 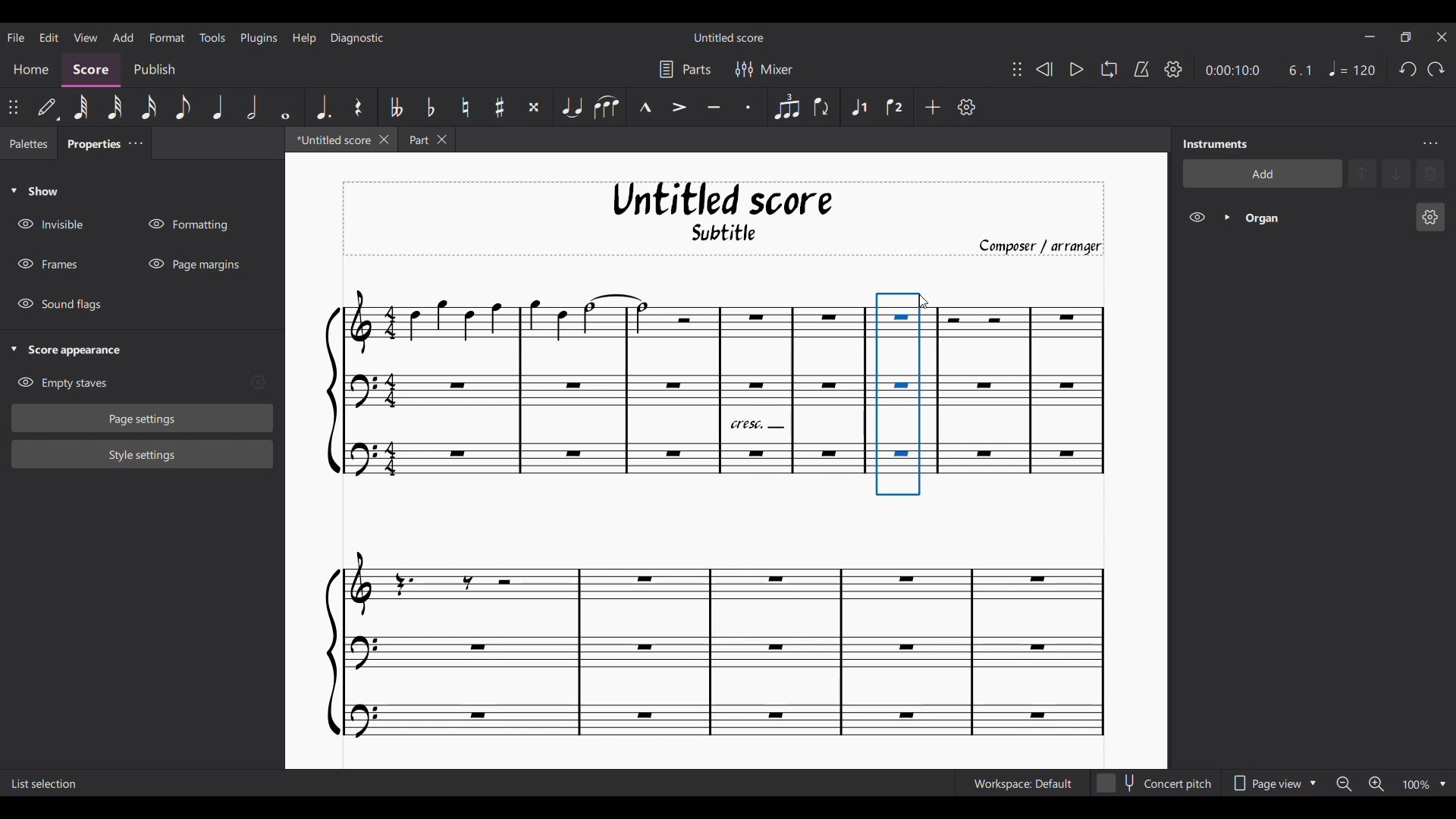 I want to click on Customize toolbar, so click(x=967, y=107).